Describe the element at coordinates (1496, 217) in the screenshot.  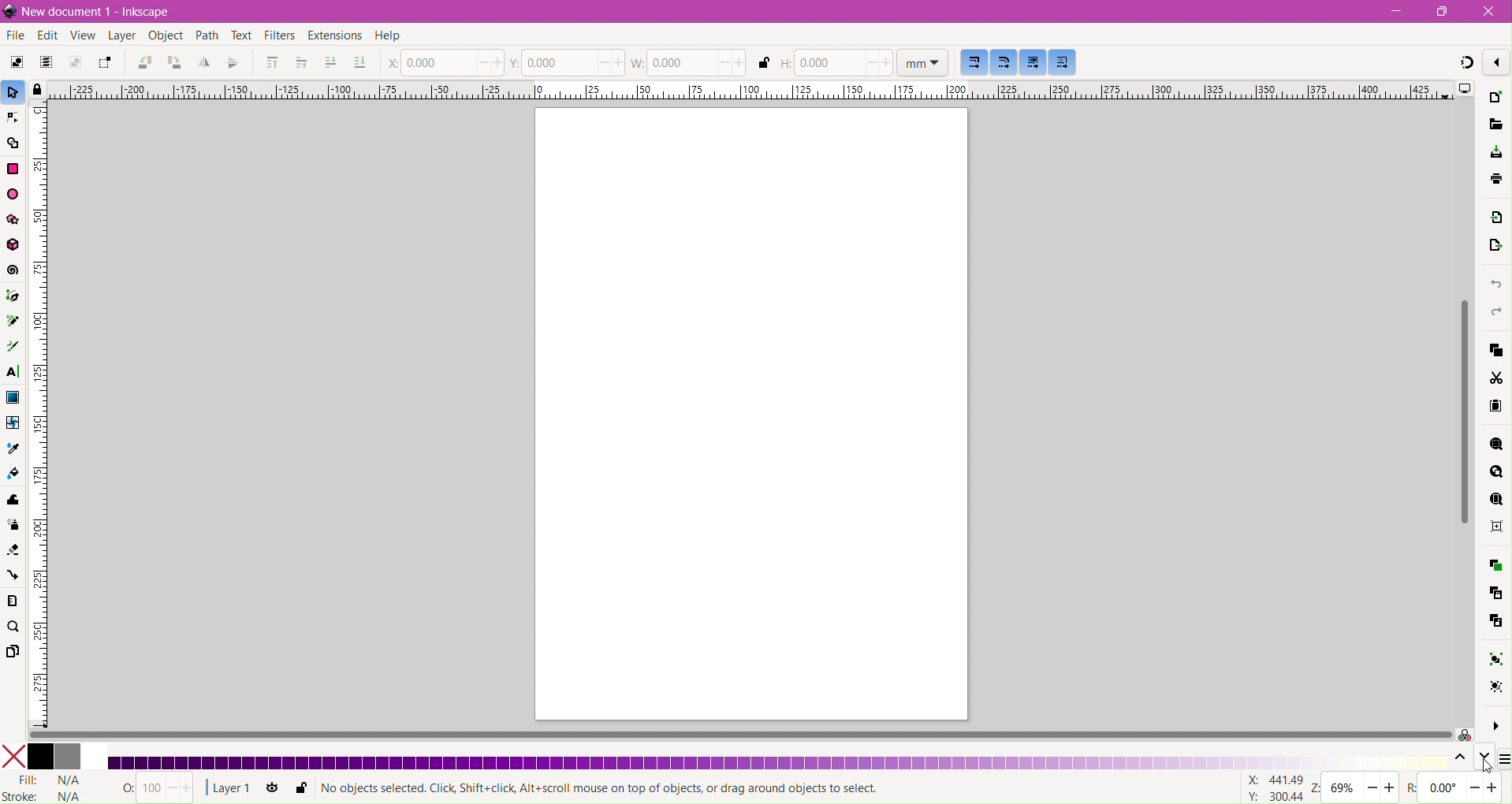
I see `Import` at that location.